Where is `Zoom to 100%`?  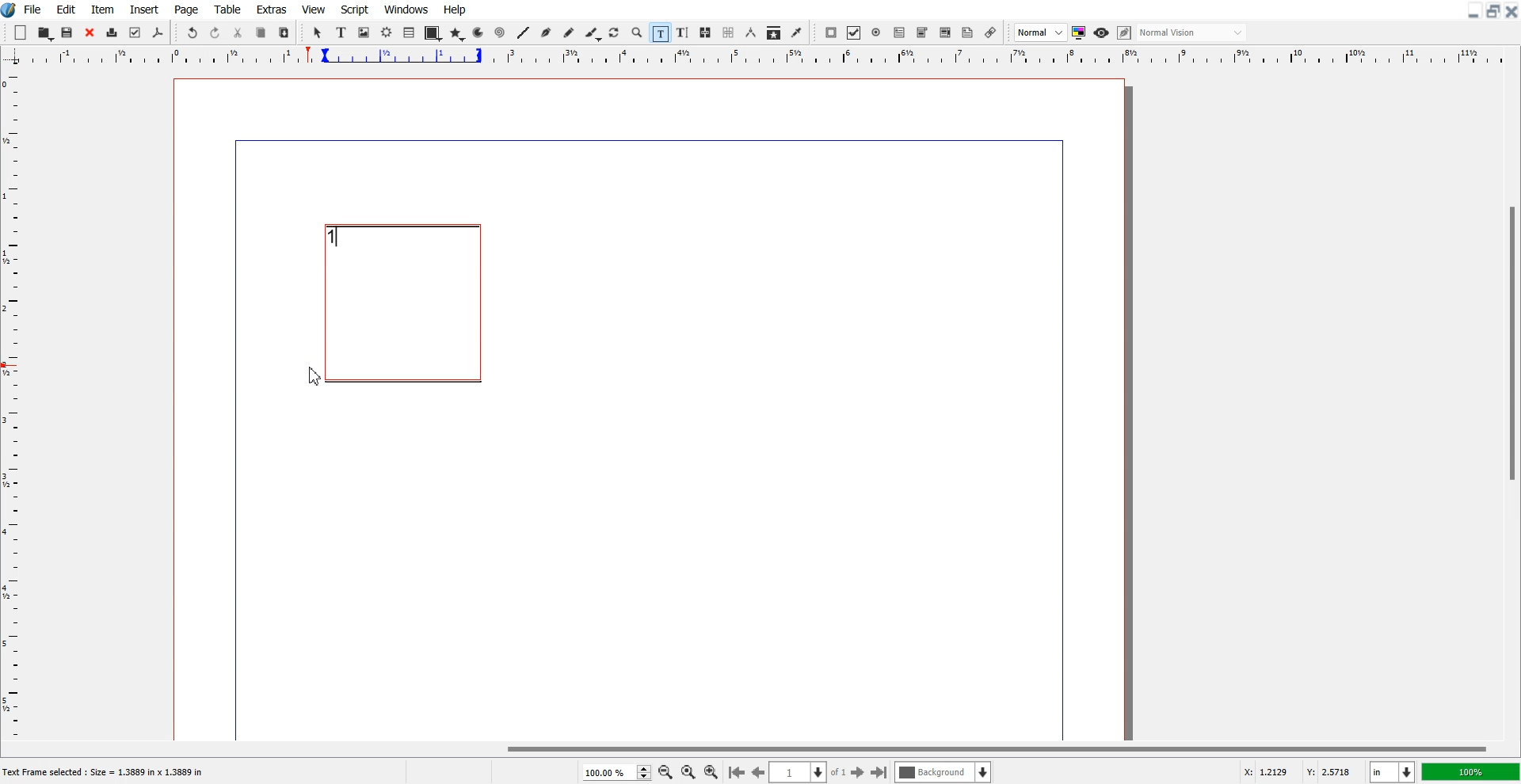
Zoom to 100% is located at coordinates (688, 773).